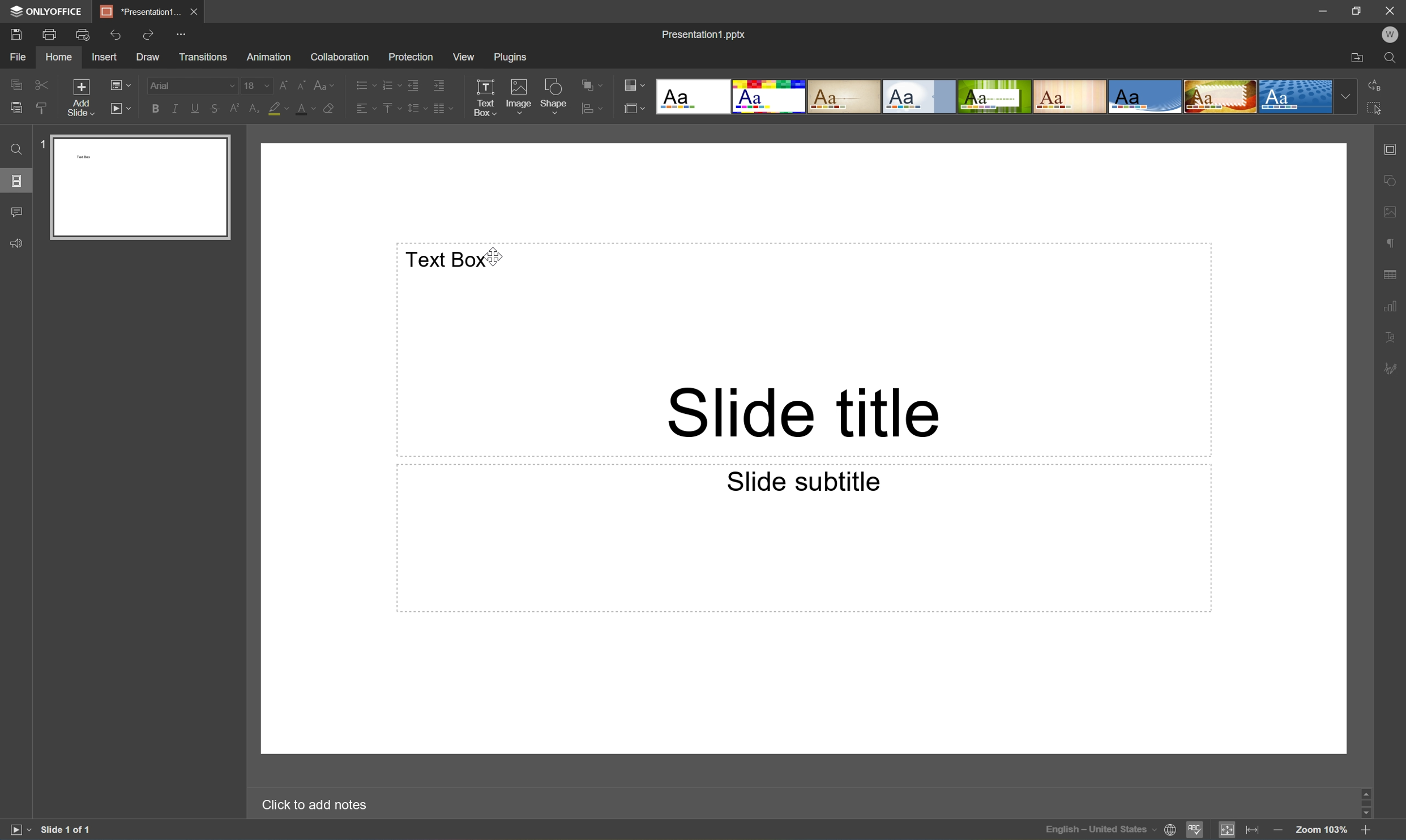 The height and width of the screenshot is (840, 1406). I want to click on Paste, so click(13, 108).